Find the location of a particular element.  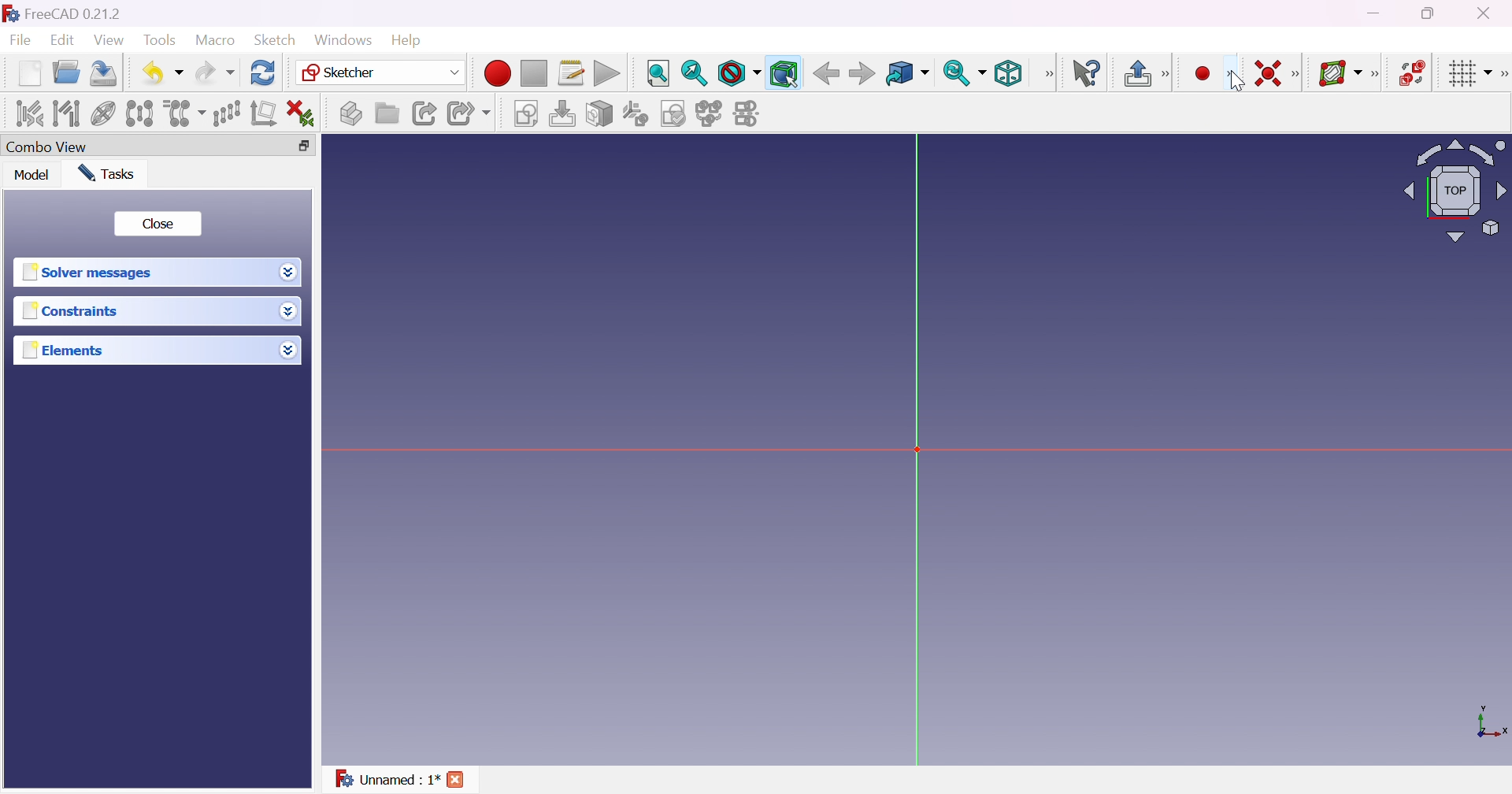

Viewing angle is located at coordinates (1455, 191).